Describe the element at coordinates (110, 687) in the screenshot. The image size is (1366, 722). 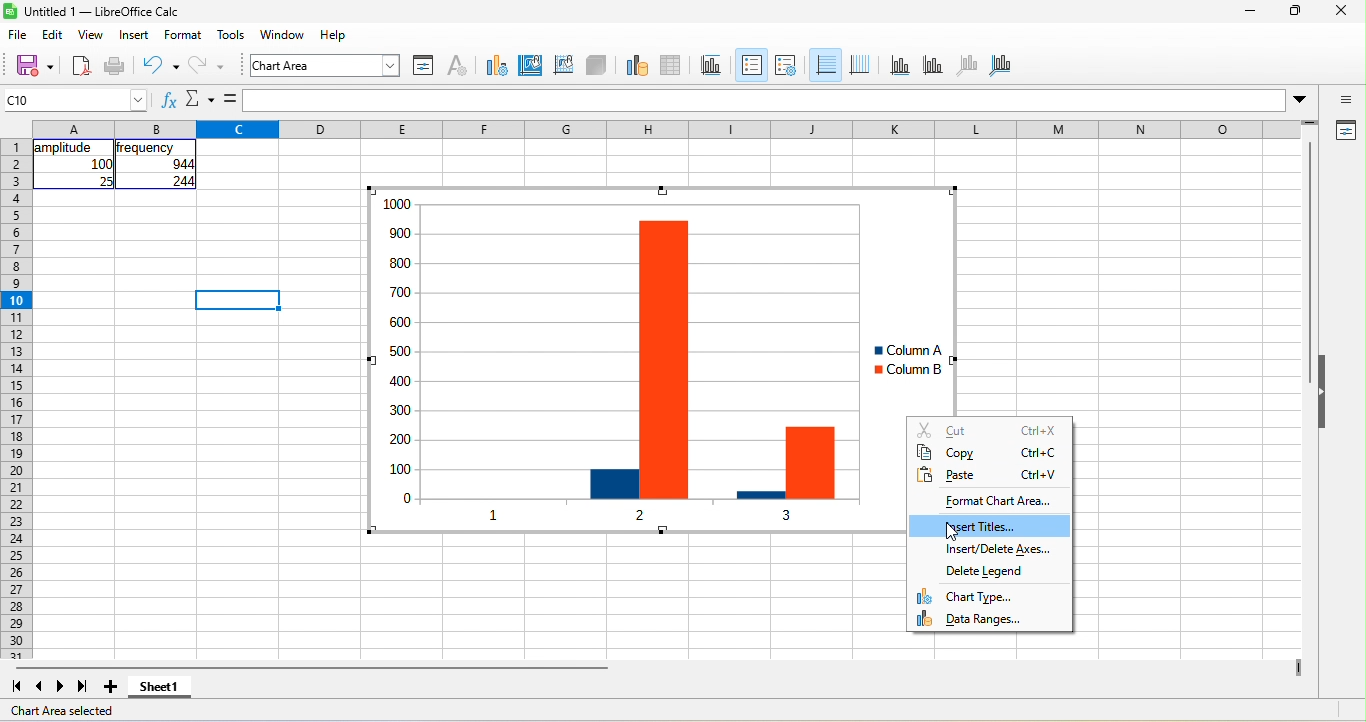
I see `add new sheet` at that location.